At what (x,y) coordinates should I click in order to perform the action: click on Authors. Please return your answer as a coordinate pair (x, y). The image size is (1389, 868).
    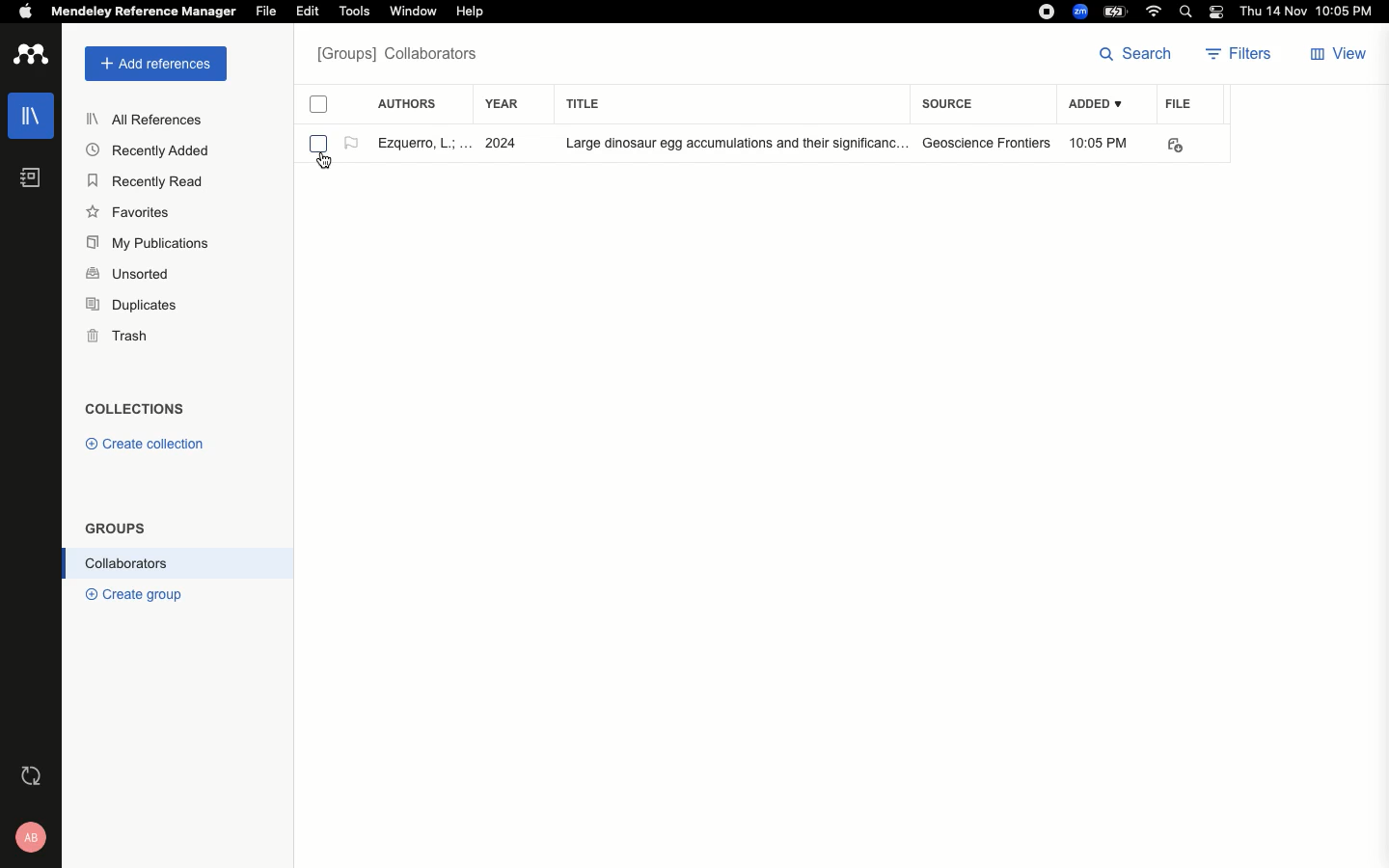
    Looking at the image, I should click on (407, 101).